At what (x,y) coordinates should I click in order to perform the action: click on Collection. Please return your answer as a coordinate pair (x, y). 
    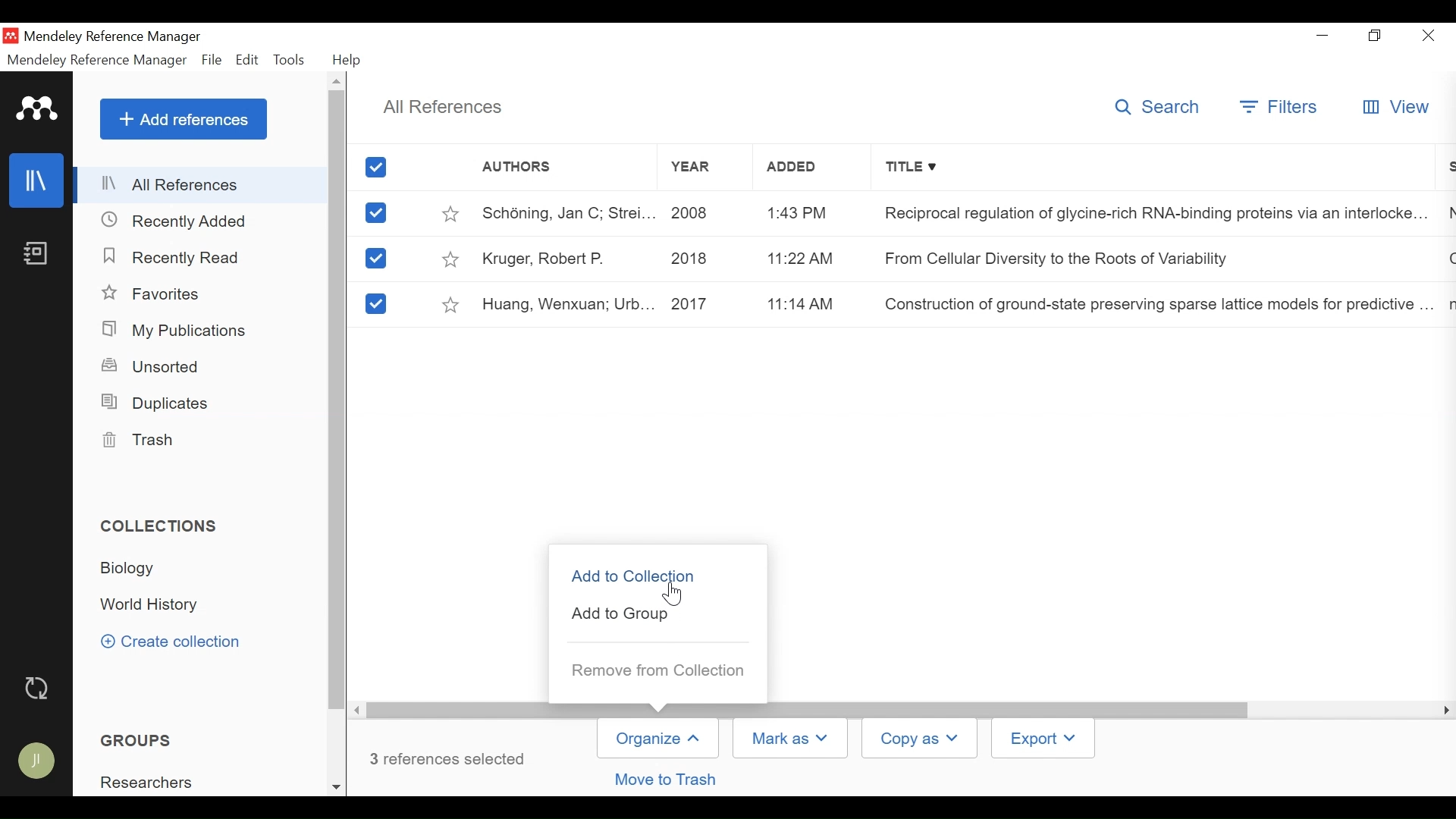
    Looking at the image, I should click on (165, 528).